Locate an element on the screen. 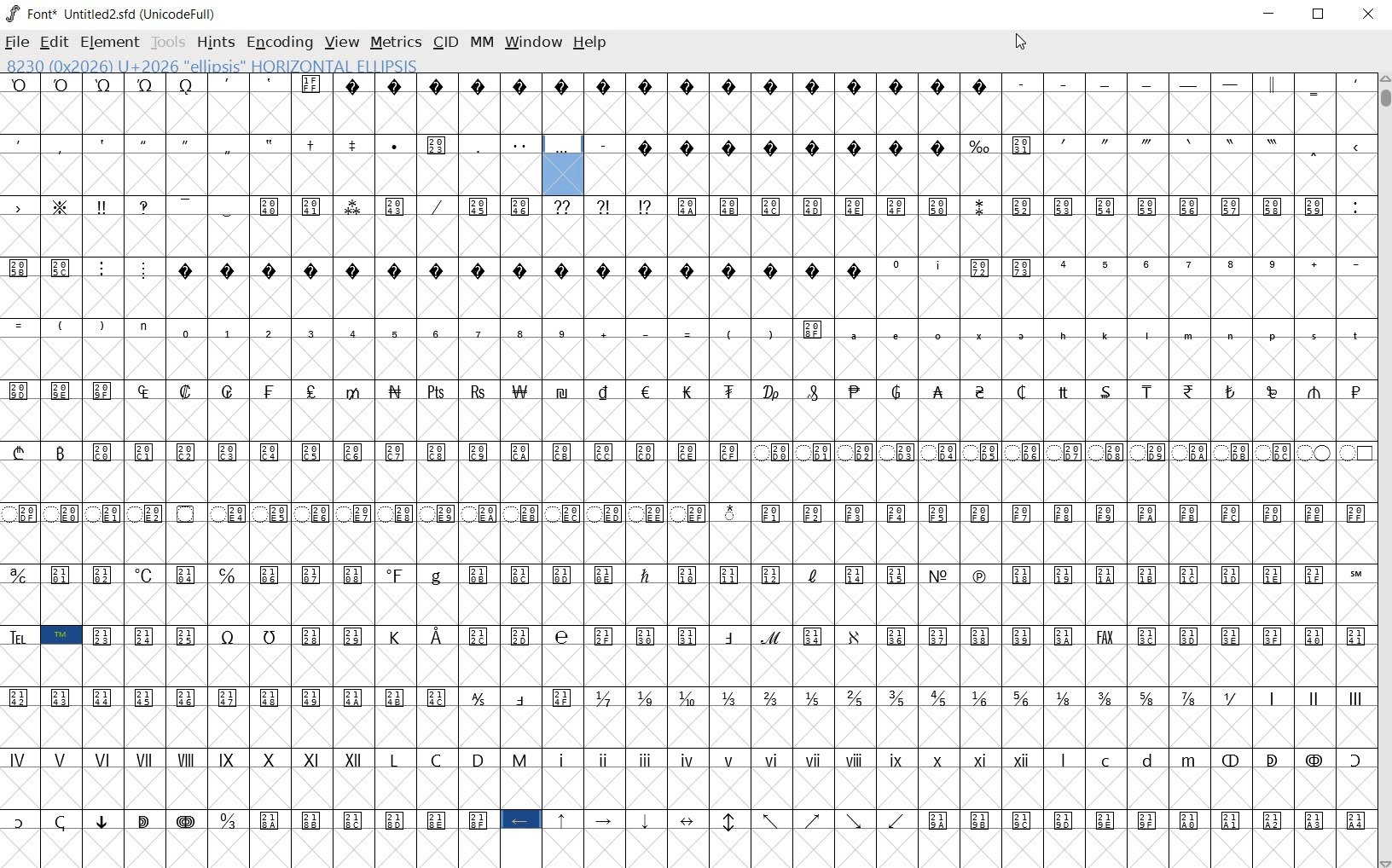 This screenshot has height=868, width=1392. VIEW is located at coordinates (340, 43).